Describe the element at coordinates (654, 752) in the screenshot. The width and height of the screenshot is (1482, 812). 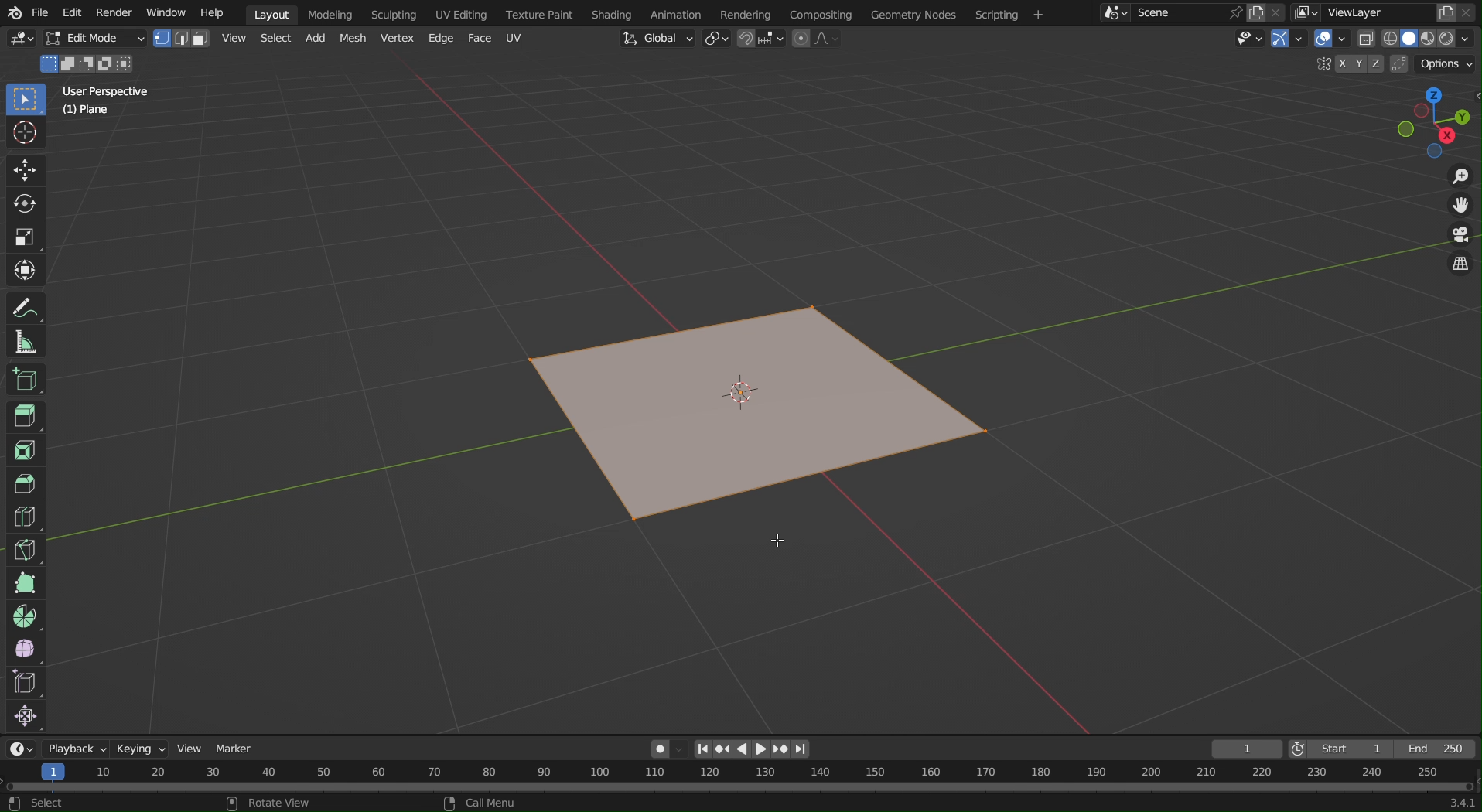
I see `Auto Keying` at that location.